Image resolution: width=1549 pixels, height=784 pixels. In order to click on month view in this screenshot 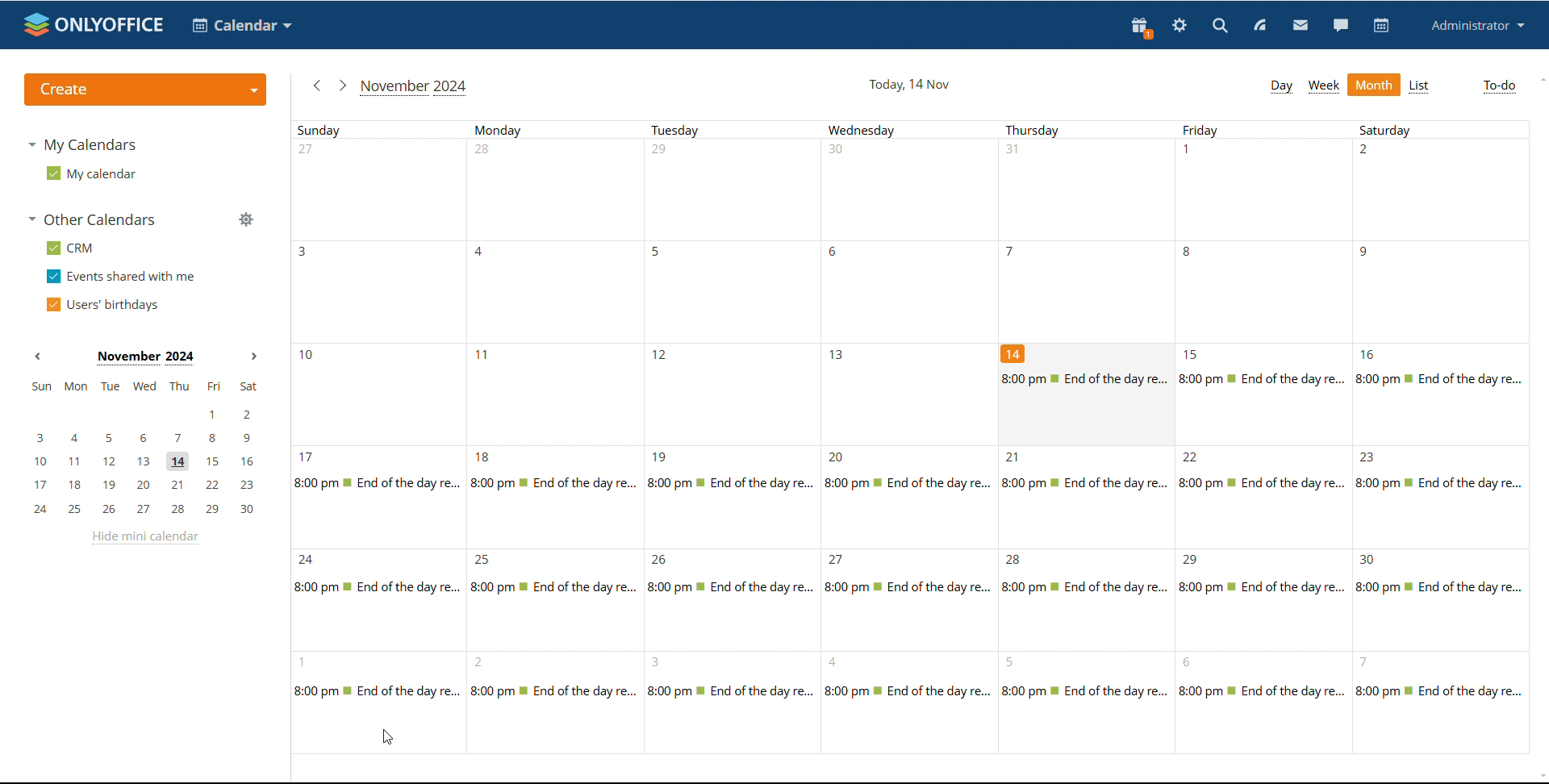, I will do `click(1373, 84)`.